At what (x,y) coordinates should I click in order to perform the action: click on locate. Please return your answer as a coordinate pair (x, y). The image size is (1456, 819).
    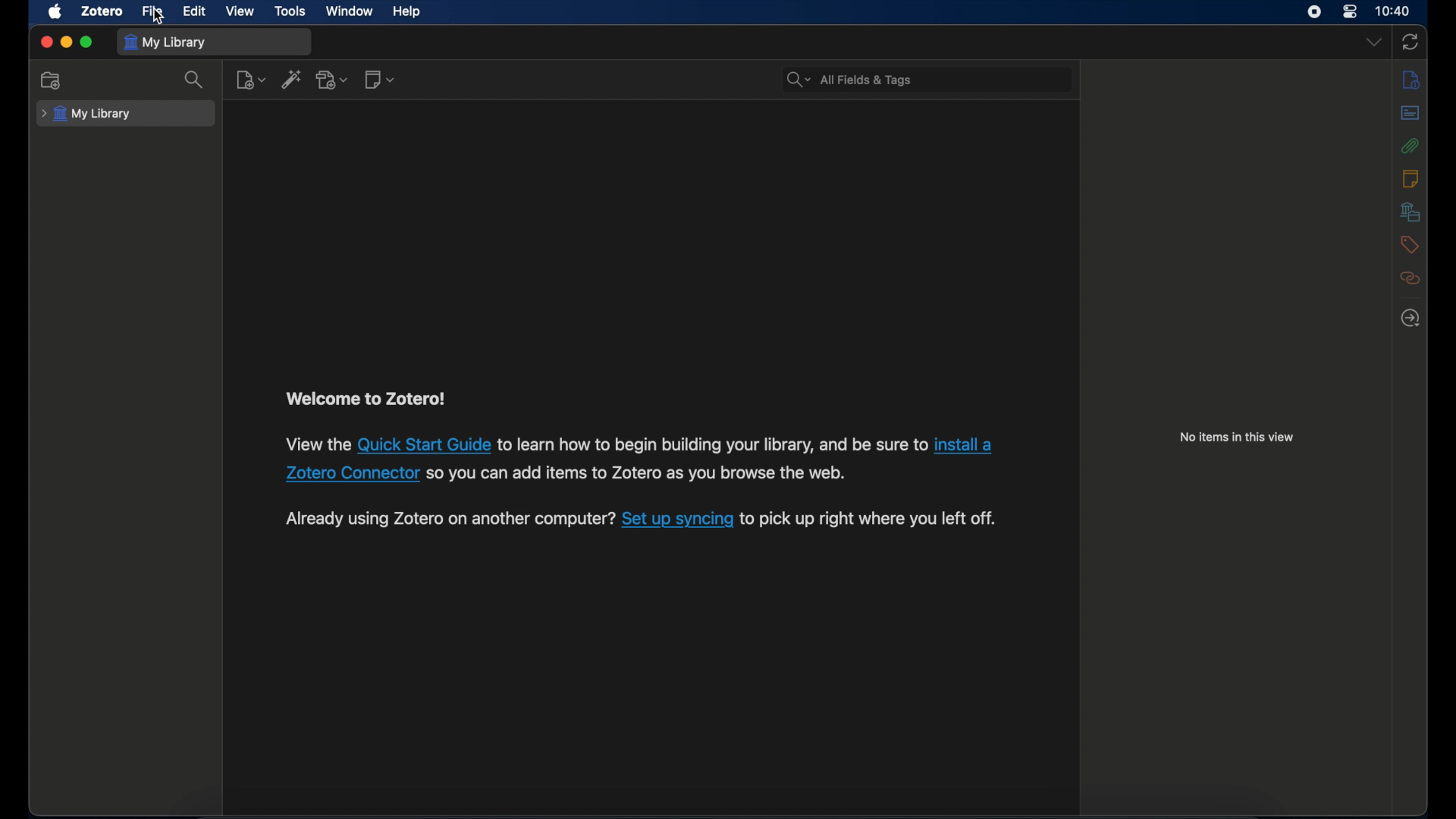
    Looking at the image, I should click on (1411, 317).